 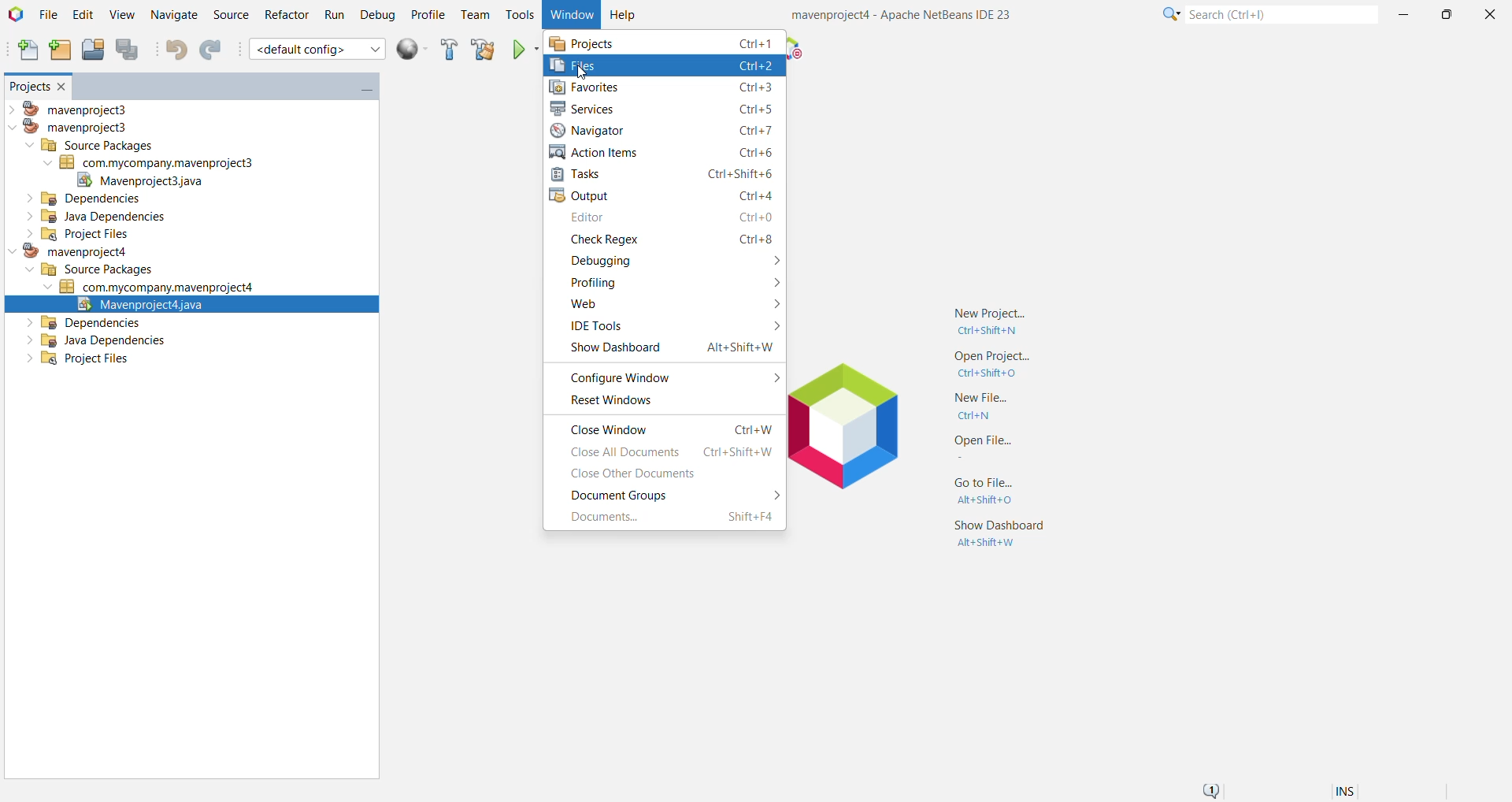 What do you see at coordinates (666, 130) in the screenshot?
I see `Navigator` at bounding box center [666, 130].